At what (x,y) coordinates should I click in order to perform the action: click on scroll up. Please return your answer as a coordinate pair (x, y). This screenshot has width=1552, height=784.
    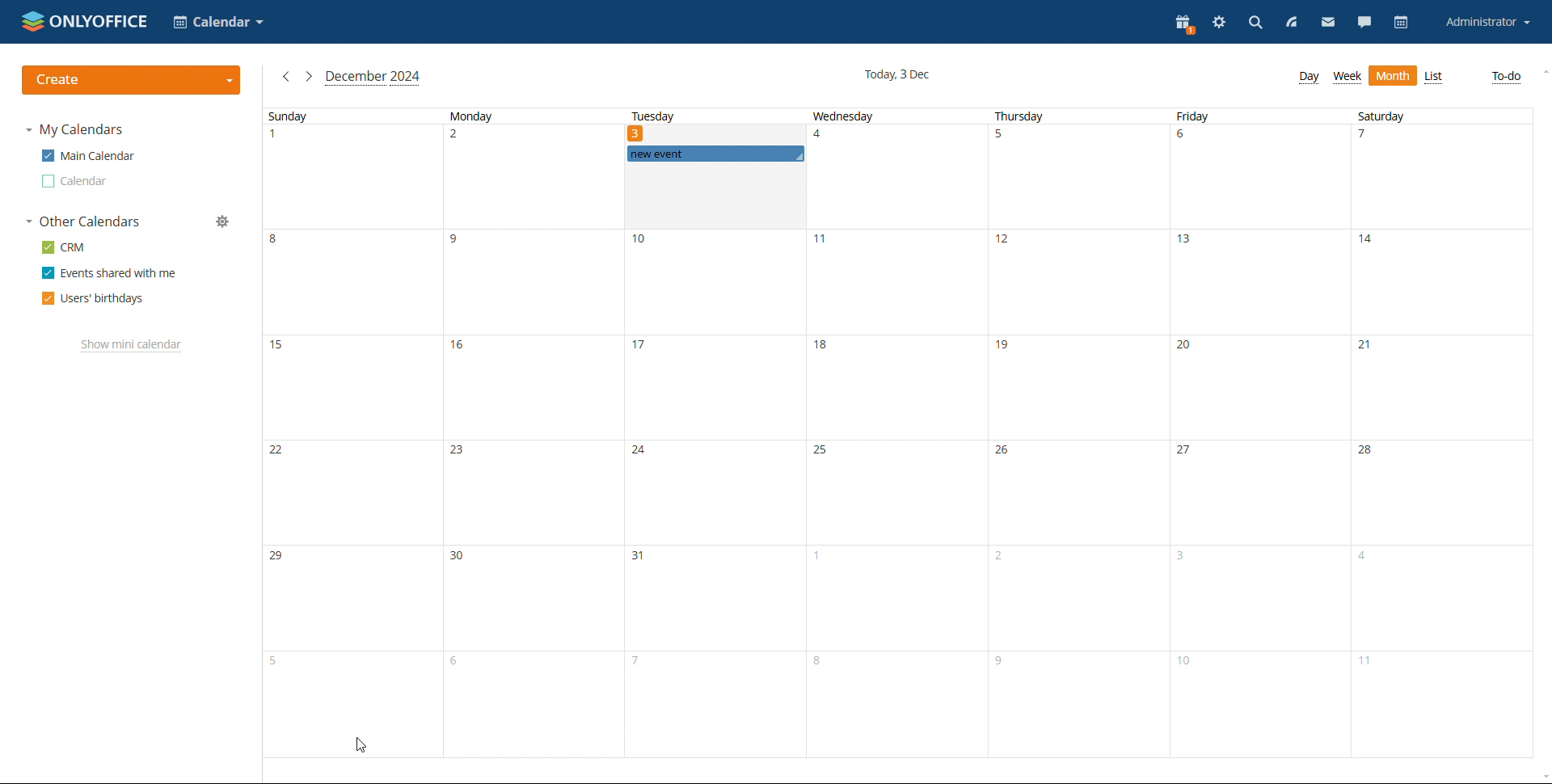
    Looking at the image, I should click on (1542, 72).